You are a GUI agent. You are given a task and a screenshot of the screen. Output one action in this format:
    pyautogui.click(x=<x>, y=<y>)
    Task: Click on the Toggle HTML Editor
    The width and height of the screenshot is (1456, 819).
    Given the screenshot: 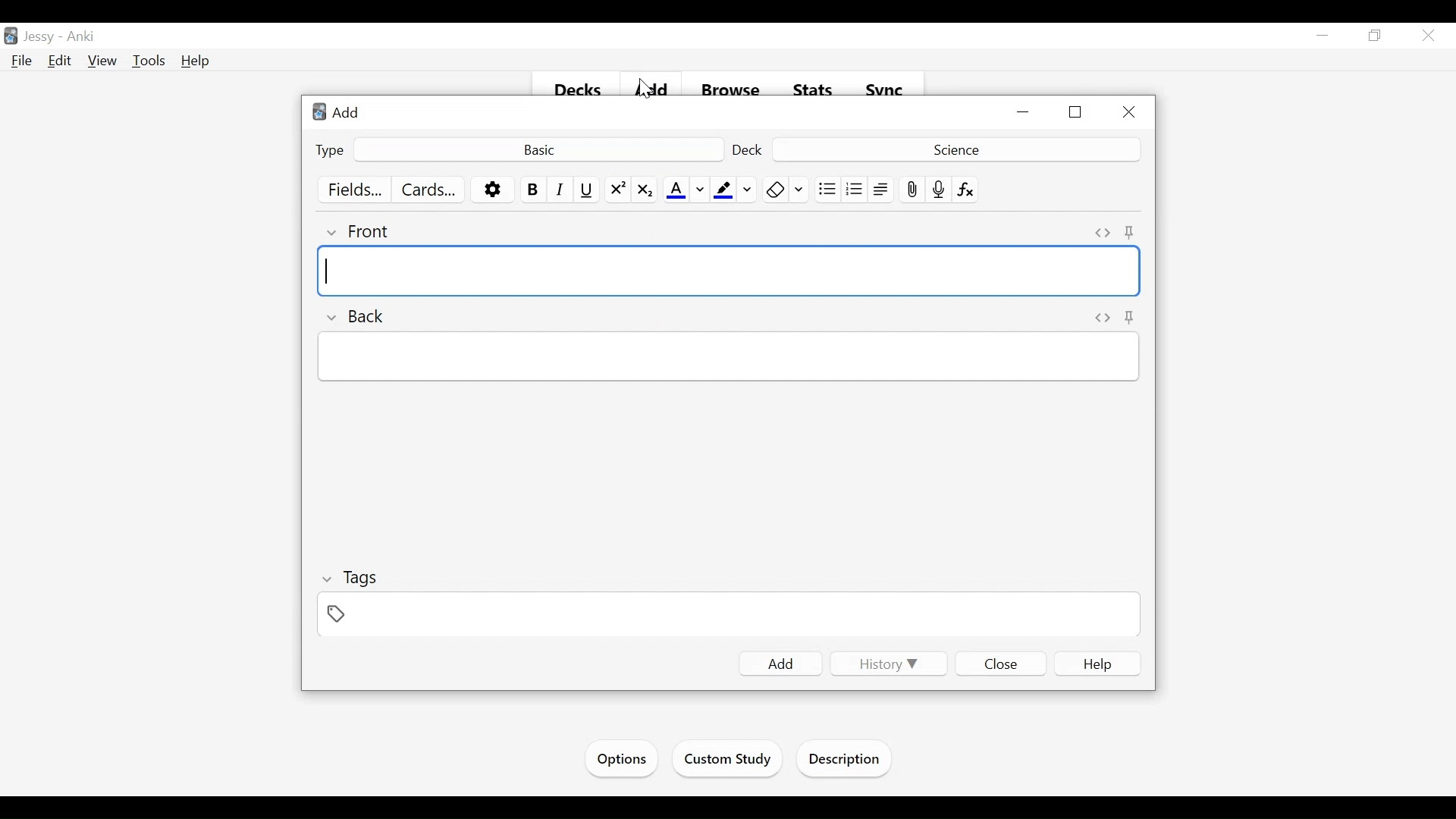 What is the action you would take?
    pyautogui.click(x=1132, y=318)
    